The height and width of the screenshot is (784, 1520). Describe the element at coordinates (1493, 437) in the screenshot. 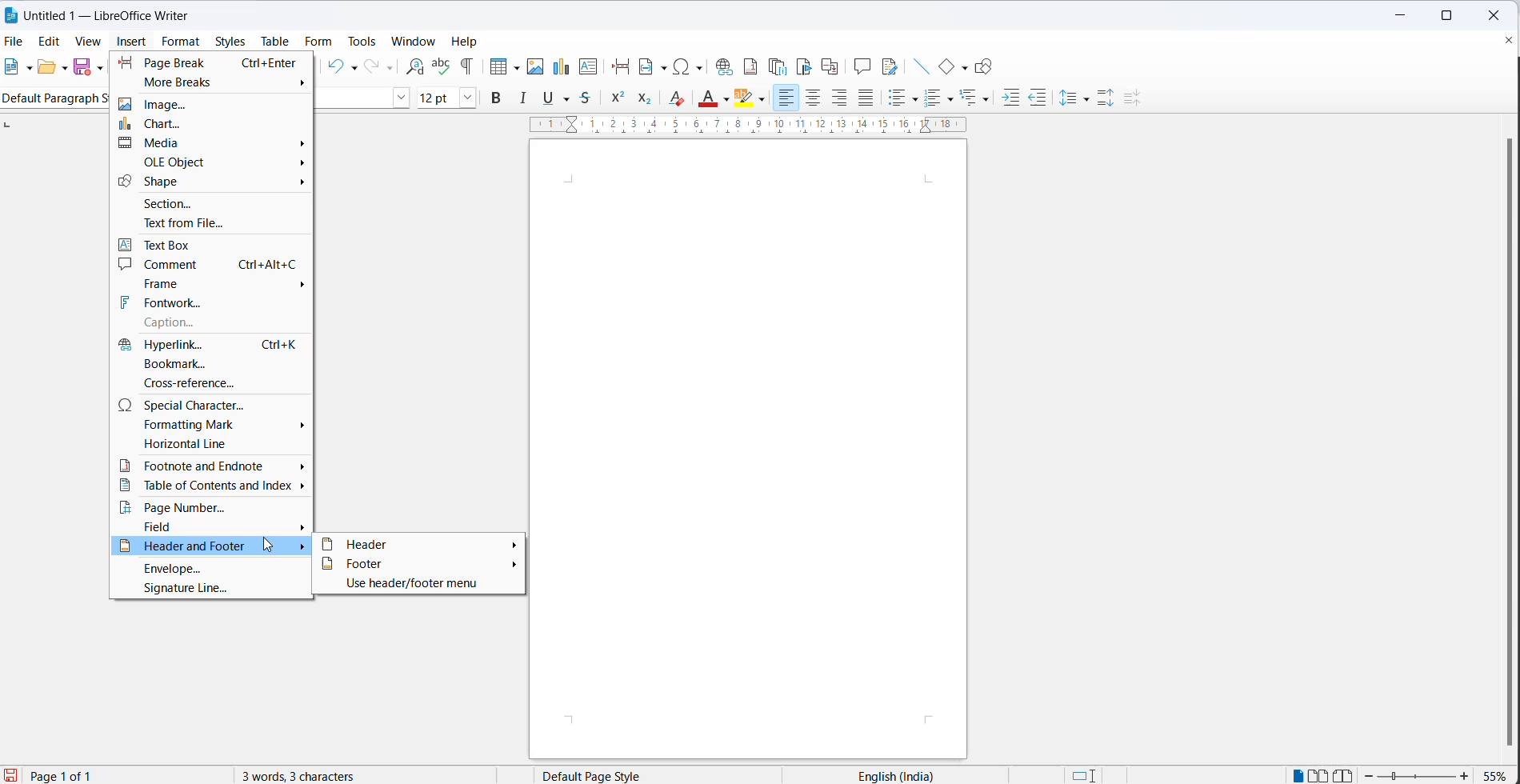

I see `scrollbar` at that location.